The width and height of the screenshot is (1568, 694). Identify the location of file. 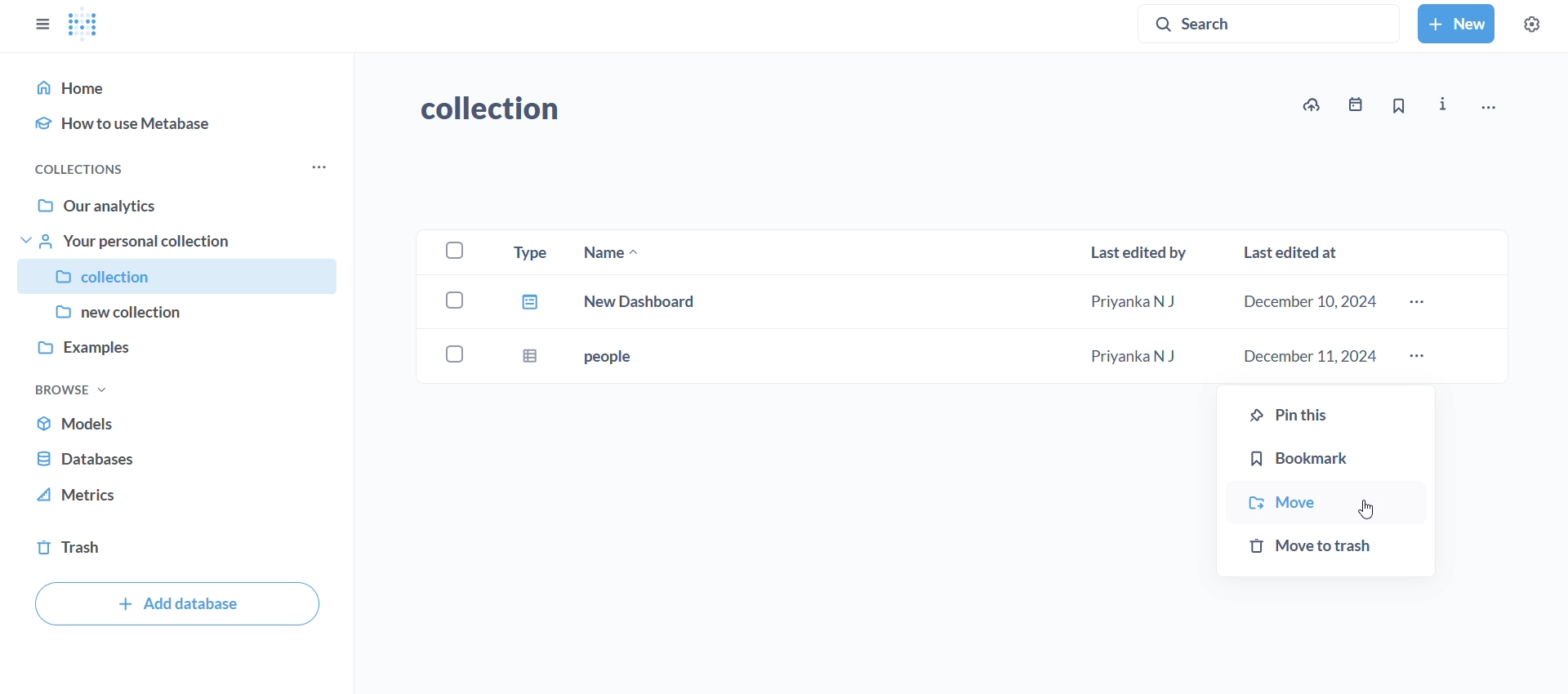
(528, 304).